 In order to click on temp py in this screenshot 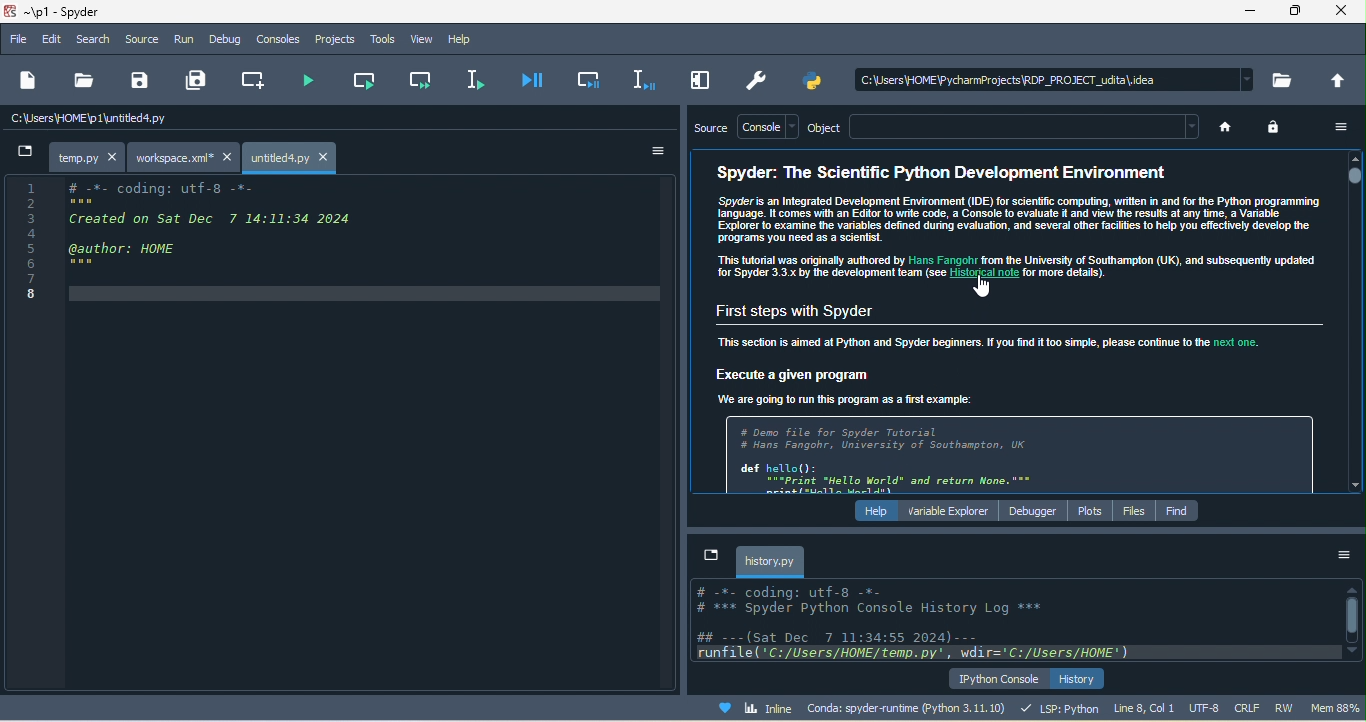, I will do `click(69, 158)`.